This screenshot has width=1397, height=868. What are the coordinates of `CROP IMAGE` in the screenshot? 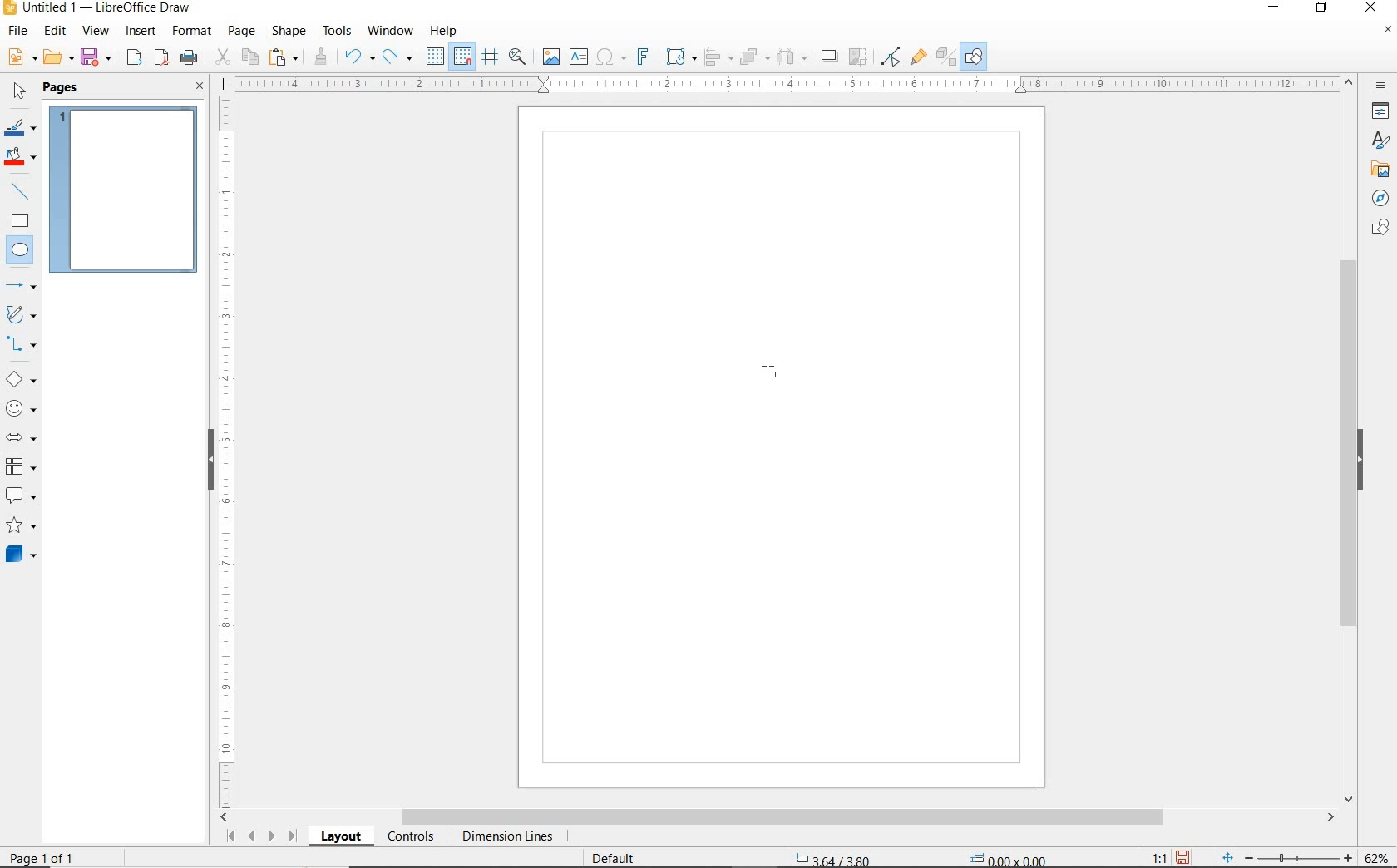 It's located at (857, 57).